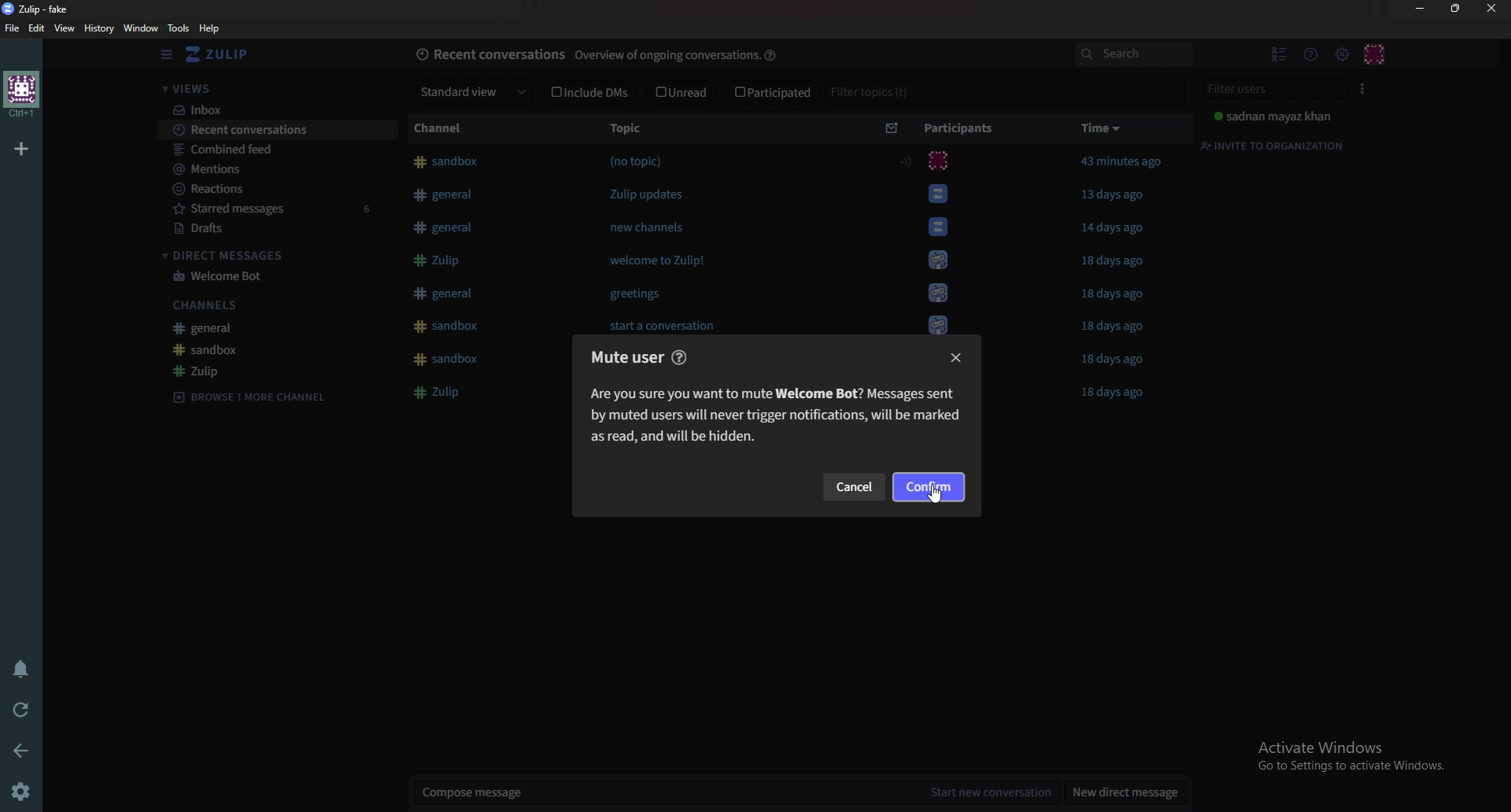 This screenshot has height=812, width=1511. What do you see at coordinates (22, 95) in the screenshot?
I see `home` at bounding box center [22, 95].